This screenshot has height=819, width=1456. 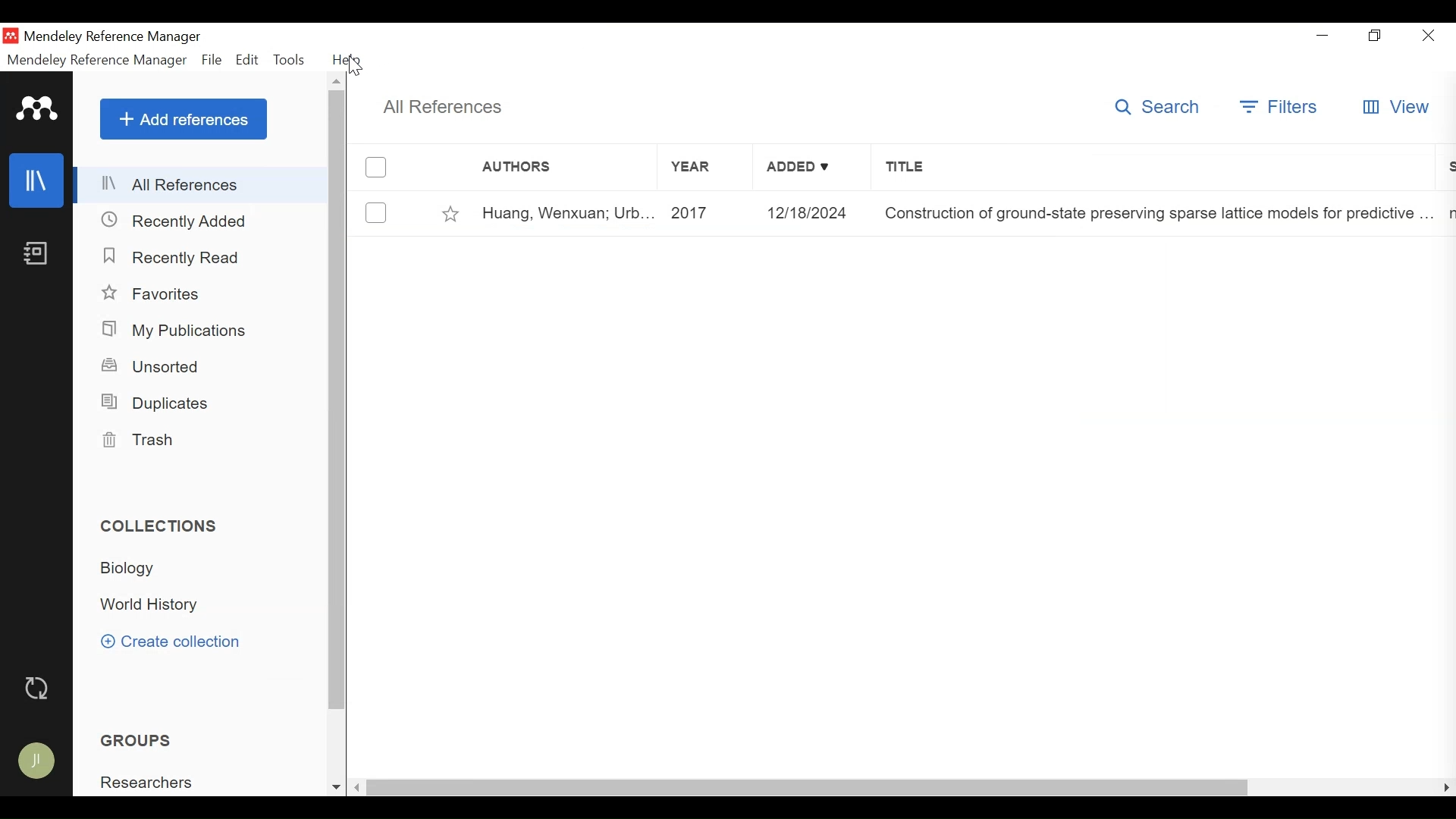 I want to click on Collections, so click(x=163, y=527).